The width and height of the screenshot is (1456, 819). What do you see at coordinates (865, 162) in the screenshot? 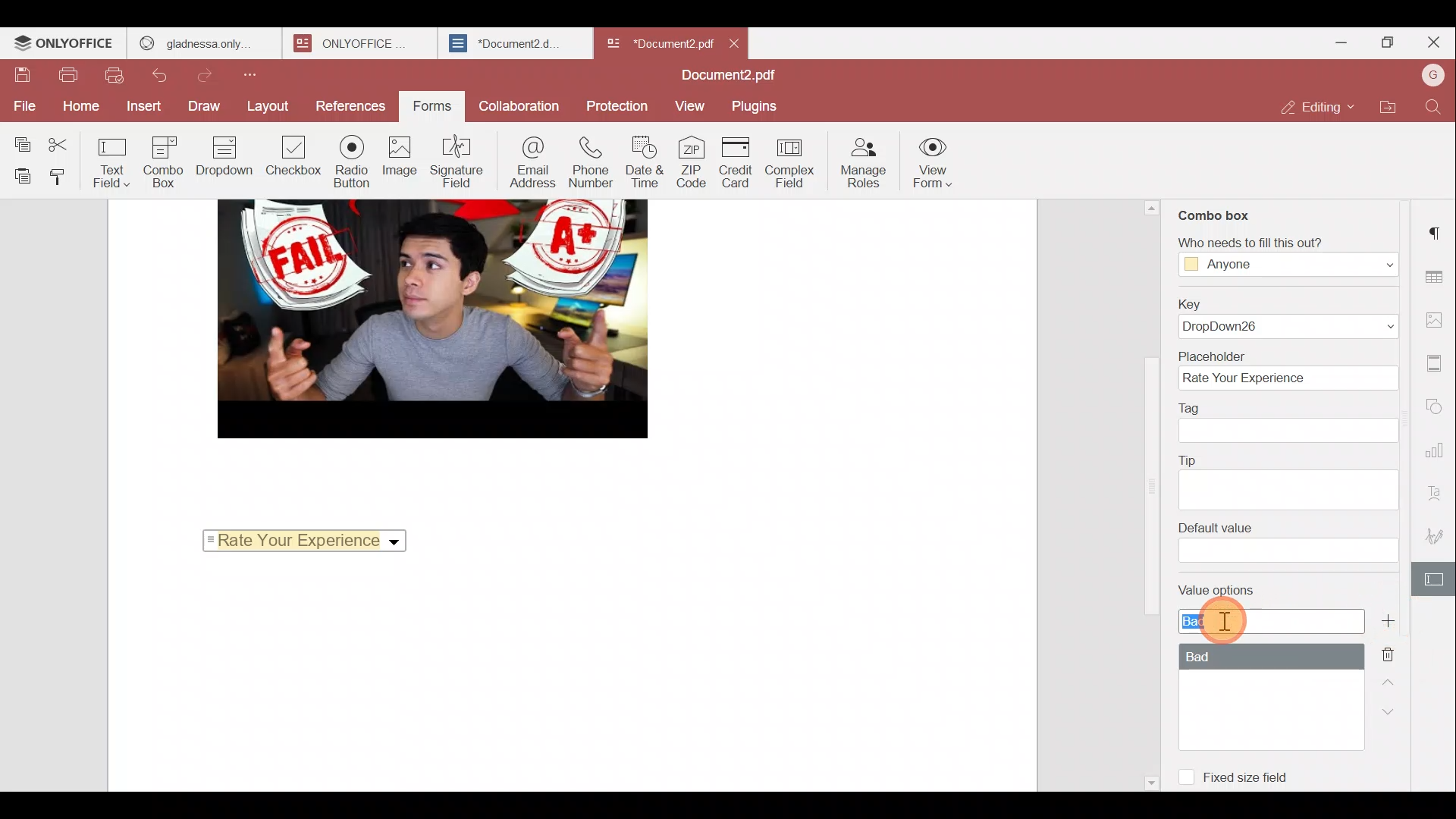
I see `Manage roles` at bounding box center [865, 162].